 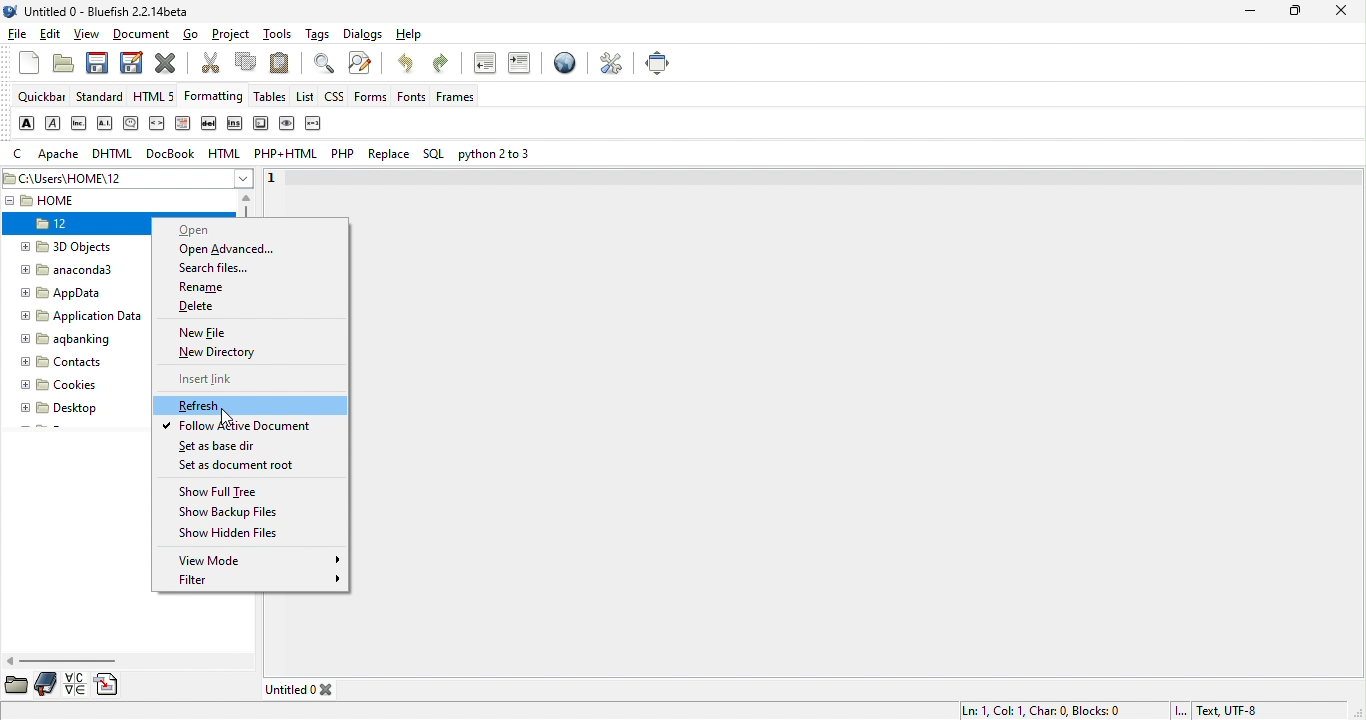 What do you see at coordinates (89, 35) in the screenshot?
I see `view` at bounding box center [89, 35].